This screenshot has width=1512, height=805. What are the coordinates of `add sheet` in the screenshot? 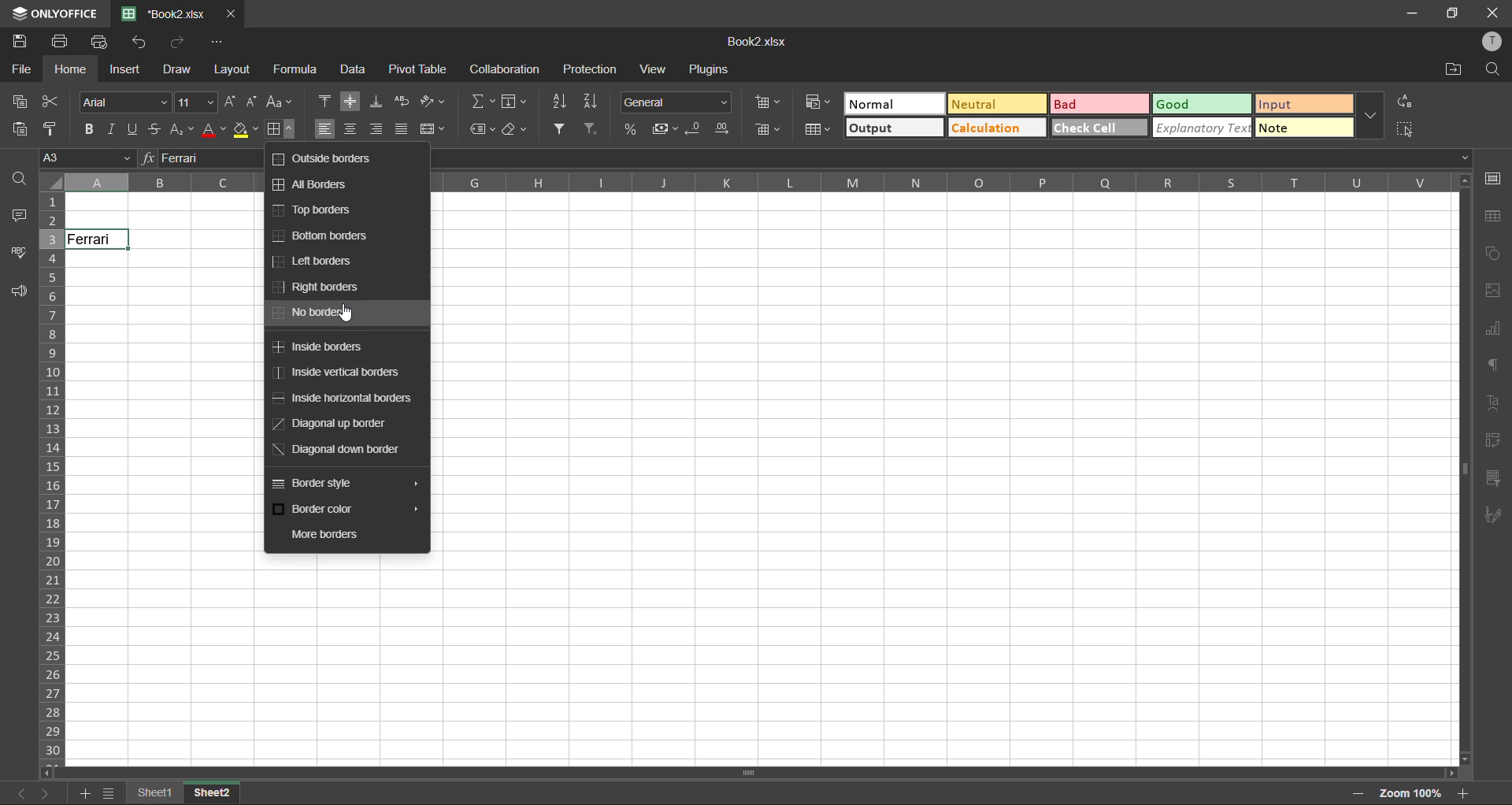 It's located at (82, 793).